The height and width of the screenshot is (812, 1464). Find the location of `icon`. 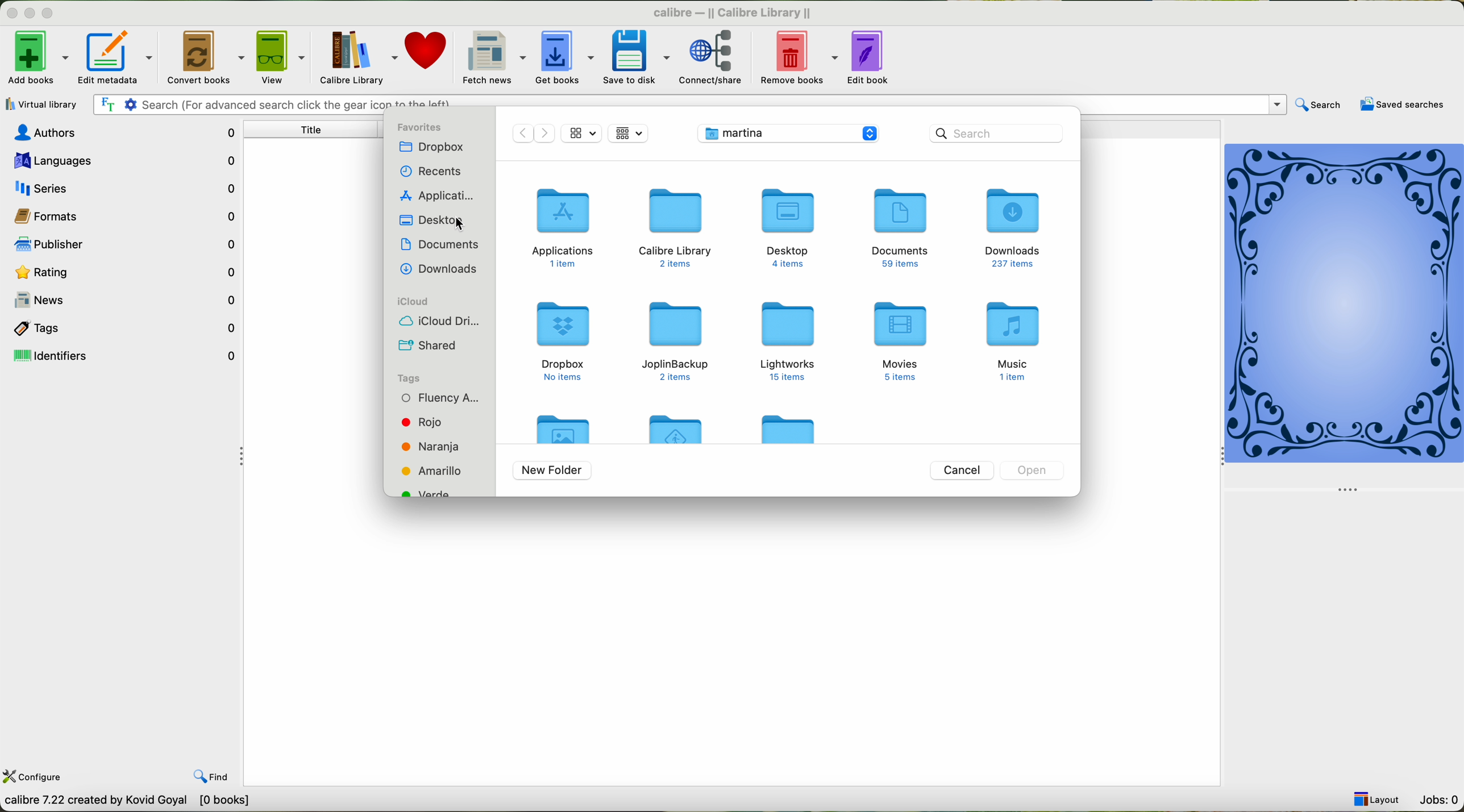

icon is located at coordinates (582, 135).